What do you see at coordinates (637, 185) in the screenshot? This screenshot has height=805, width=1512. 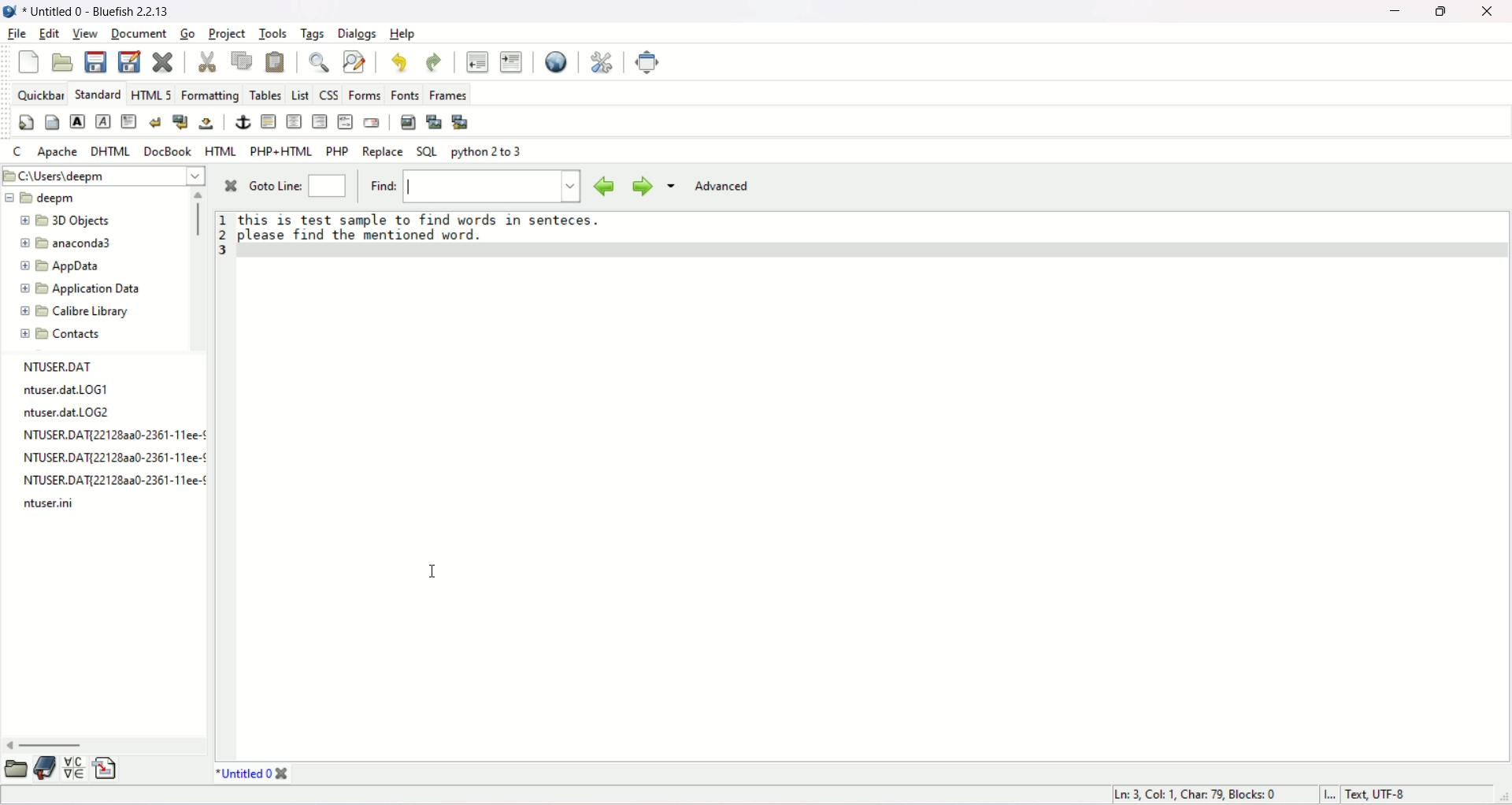 I see `next` at bounding box center [637, 185].